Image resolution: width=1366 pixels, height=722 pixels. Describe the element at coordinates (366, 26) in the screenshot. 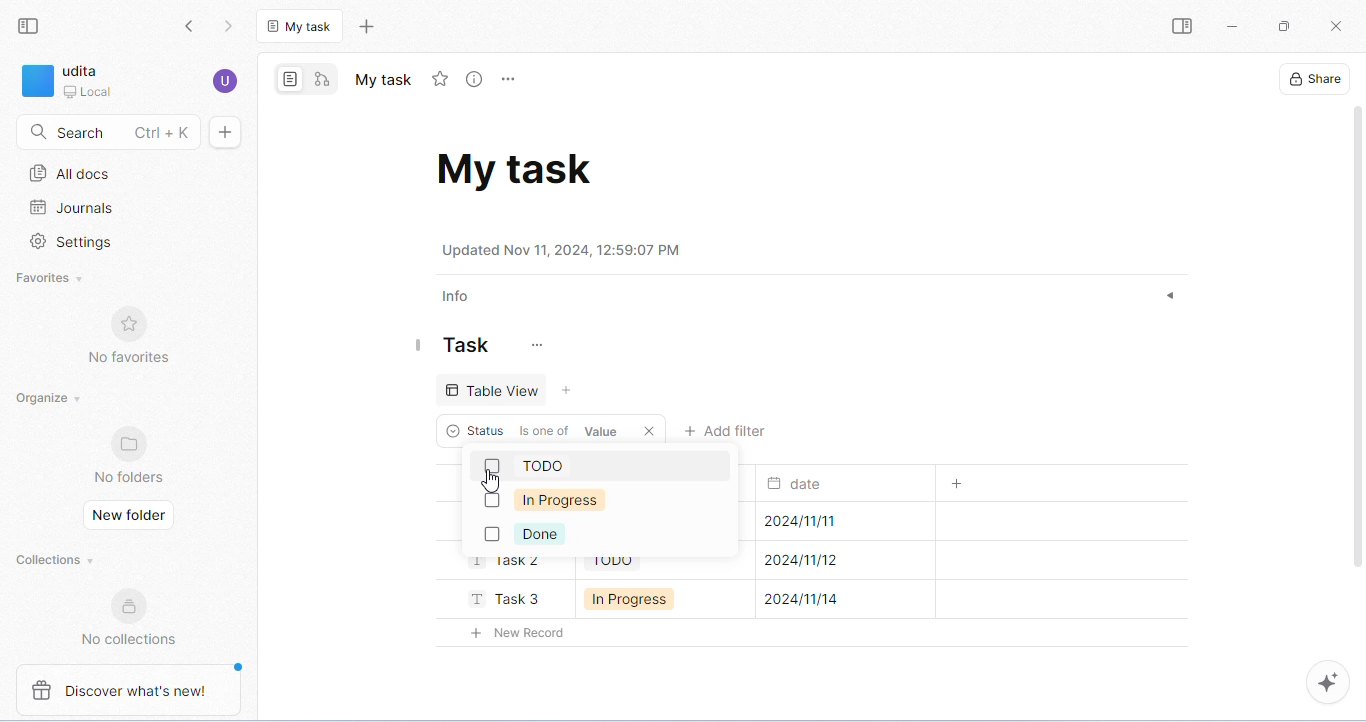

I see `new tab` at that location.